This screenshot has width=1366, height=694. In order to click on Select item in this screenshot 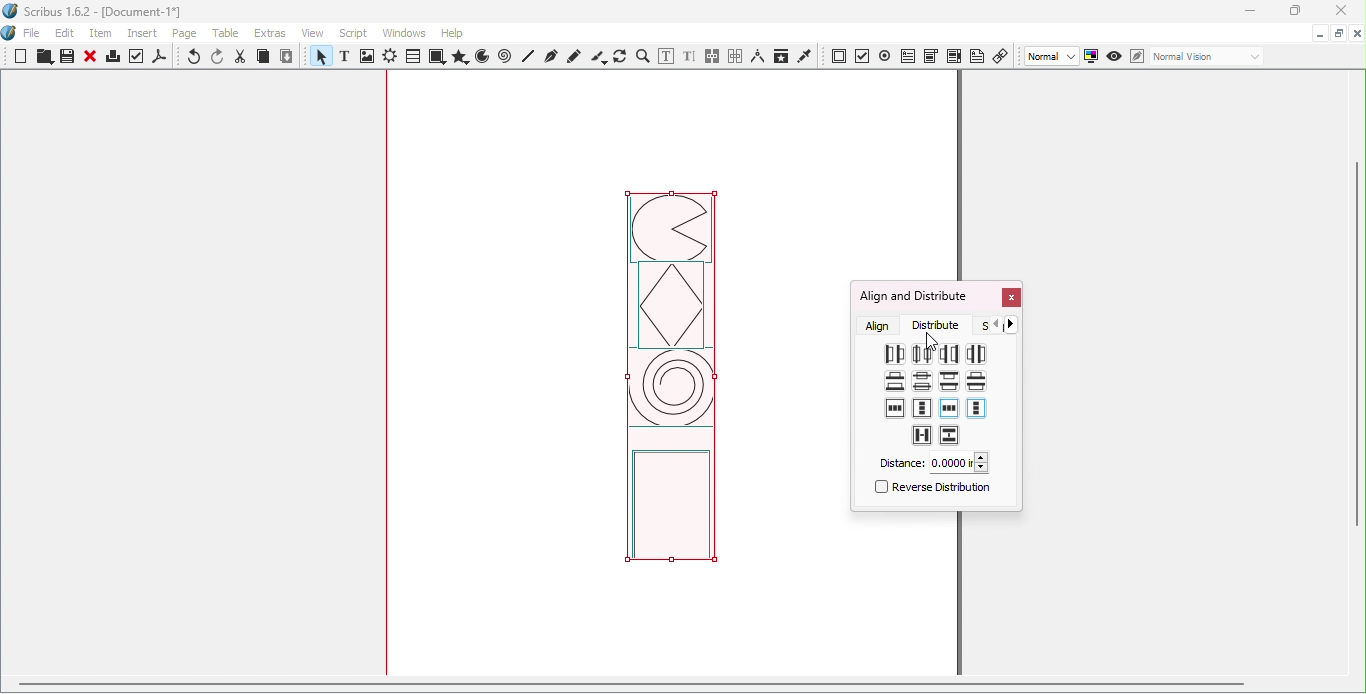, I will do `click(319, 58)`.